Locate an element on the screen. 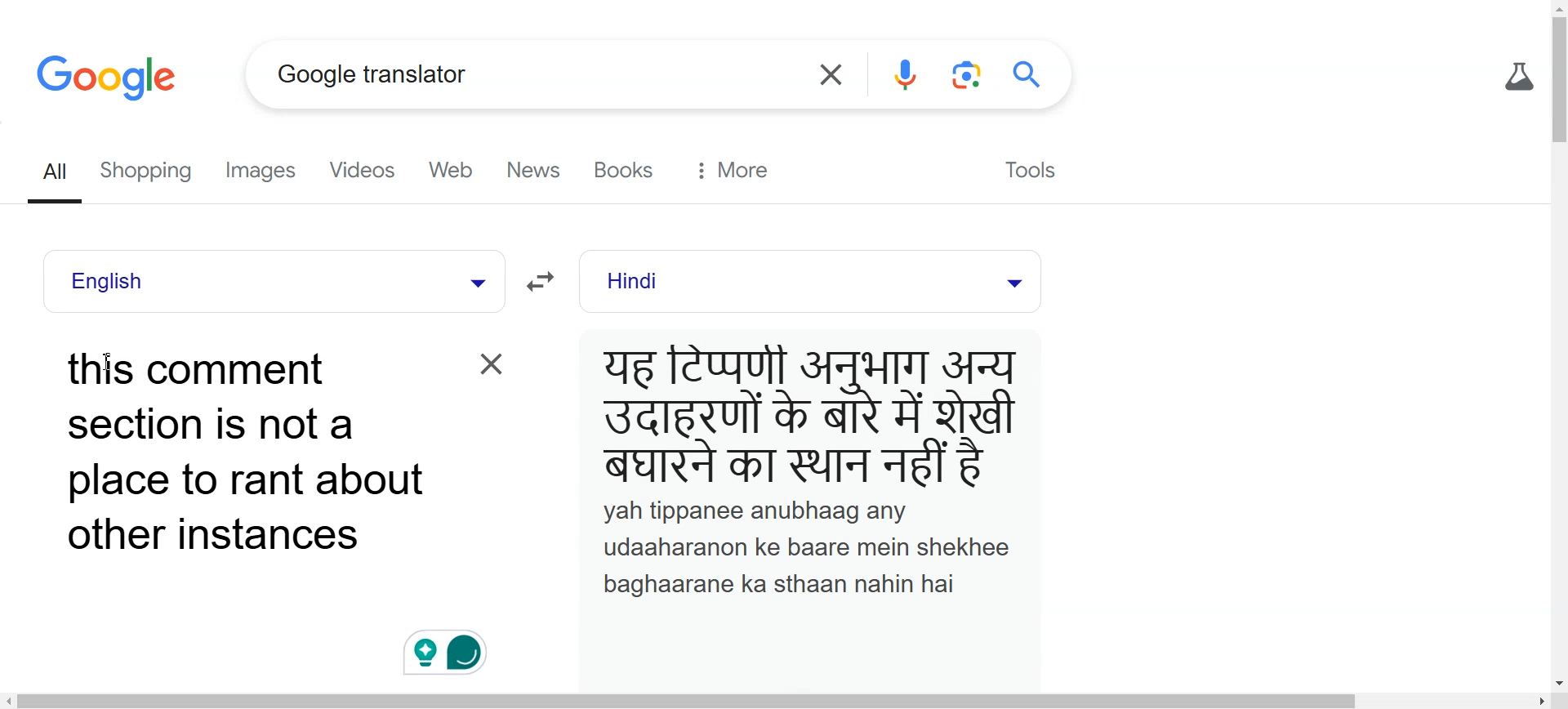 The image size is (1568, 709). Logo home page is located at coordinates (109, 76).